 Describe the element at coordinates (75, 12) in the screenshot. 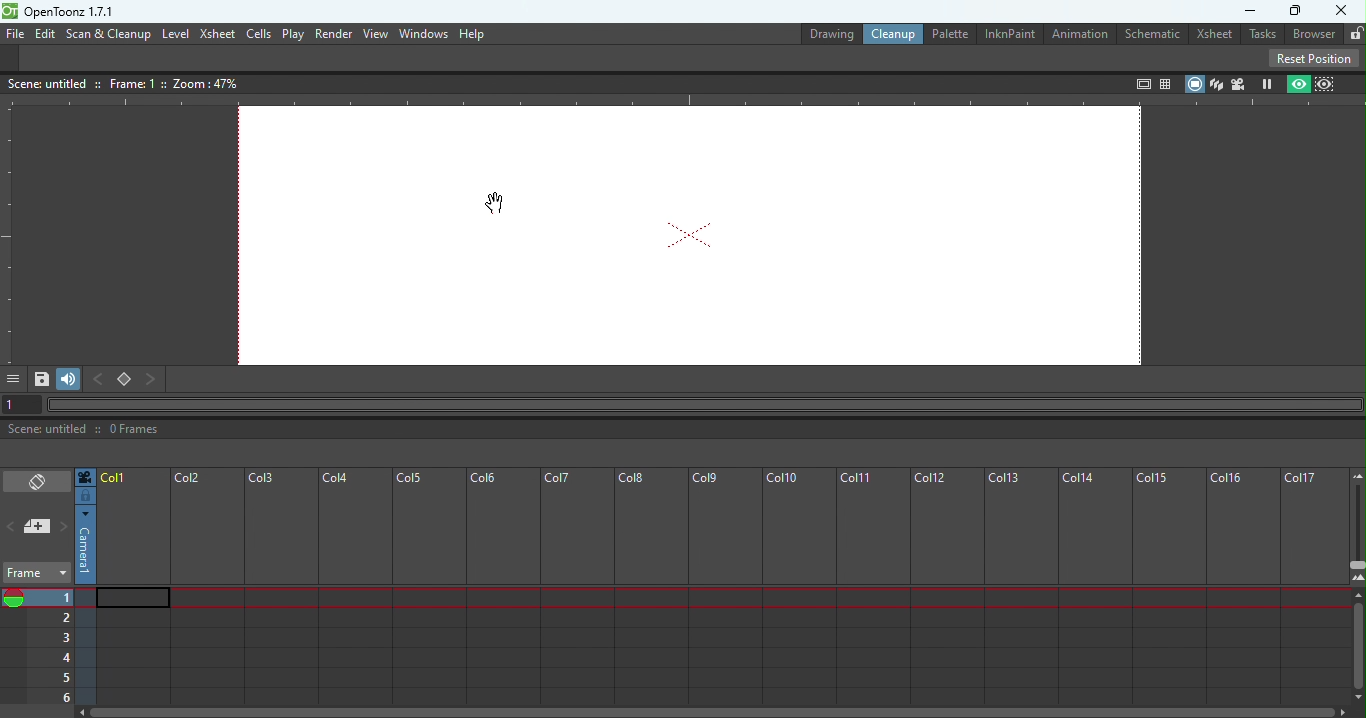

I see `openloonz1.7.1` at that location.